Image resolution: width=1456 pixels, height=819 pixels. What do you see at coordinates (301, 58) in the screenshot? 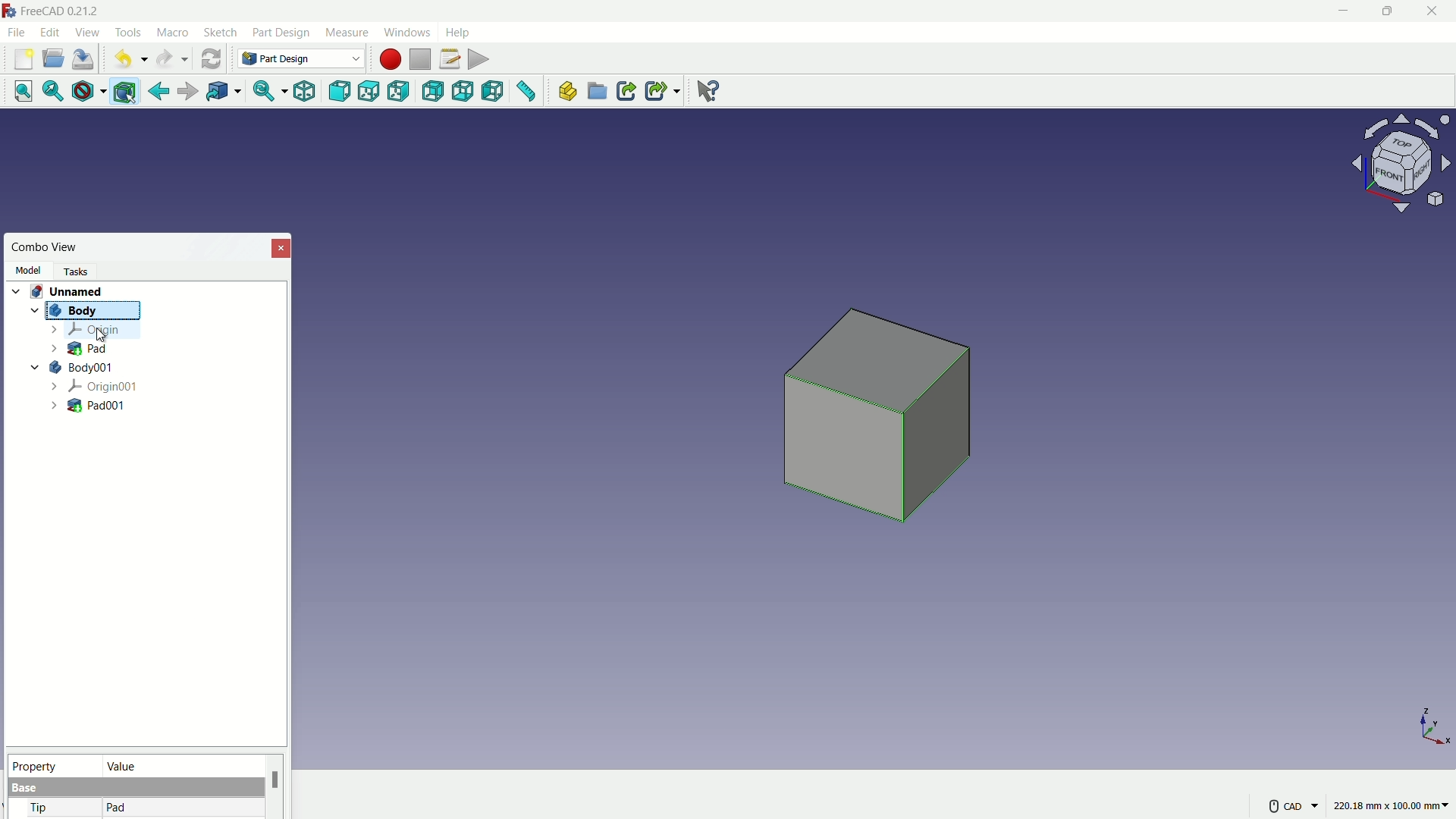
I see `Part Design` at bounding box center [301, 58].